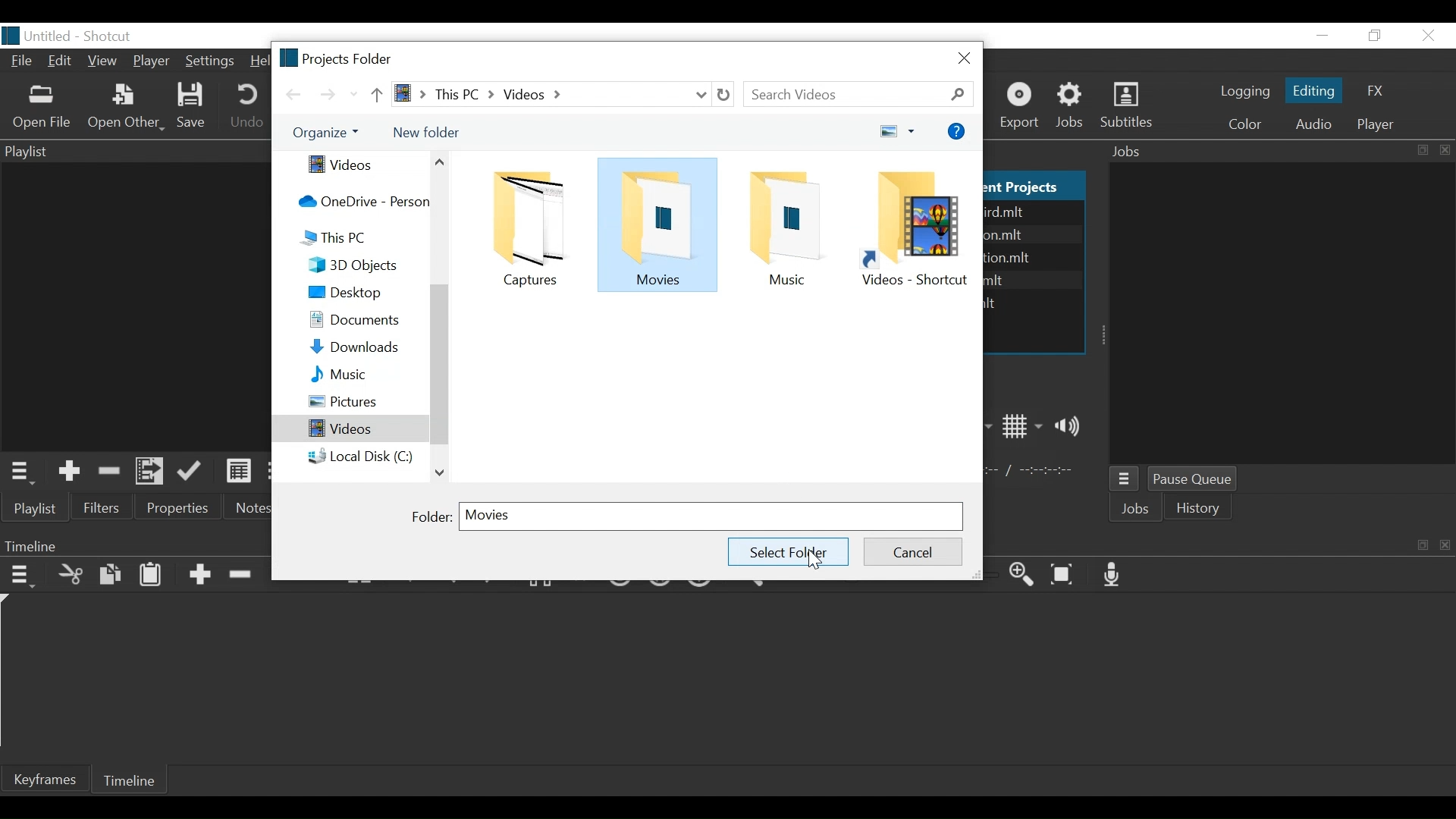 The width and height of the screenshot is (1456, 819). I want to click on Add files to the playlist, so click(152, 472).